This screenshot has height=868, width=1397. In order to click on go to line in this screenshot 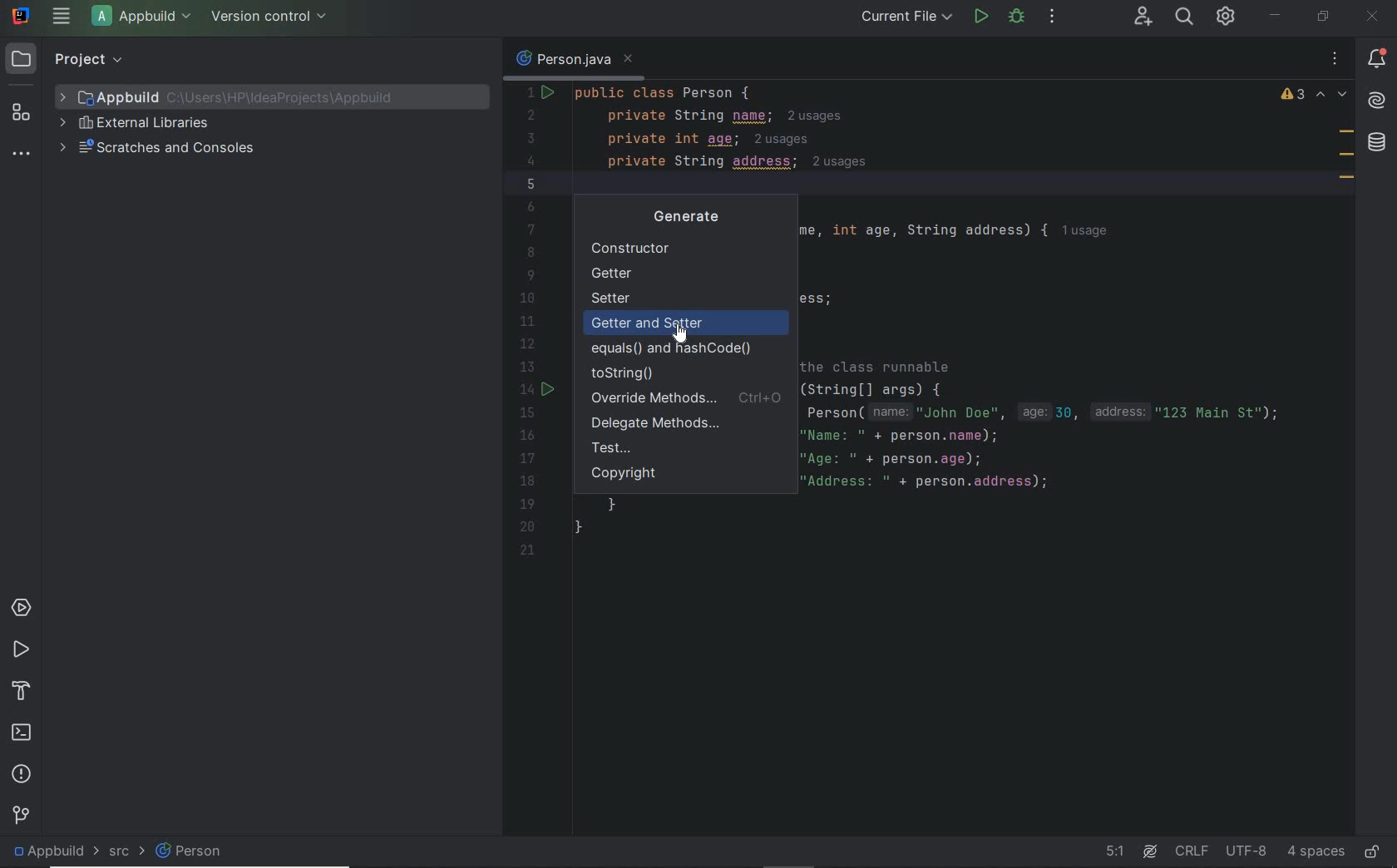, I will do `click(1113, 852)`.